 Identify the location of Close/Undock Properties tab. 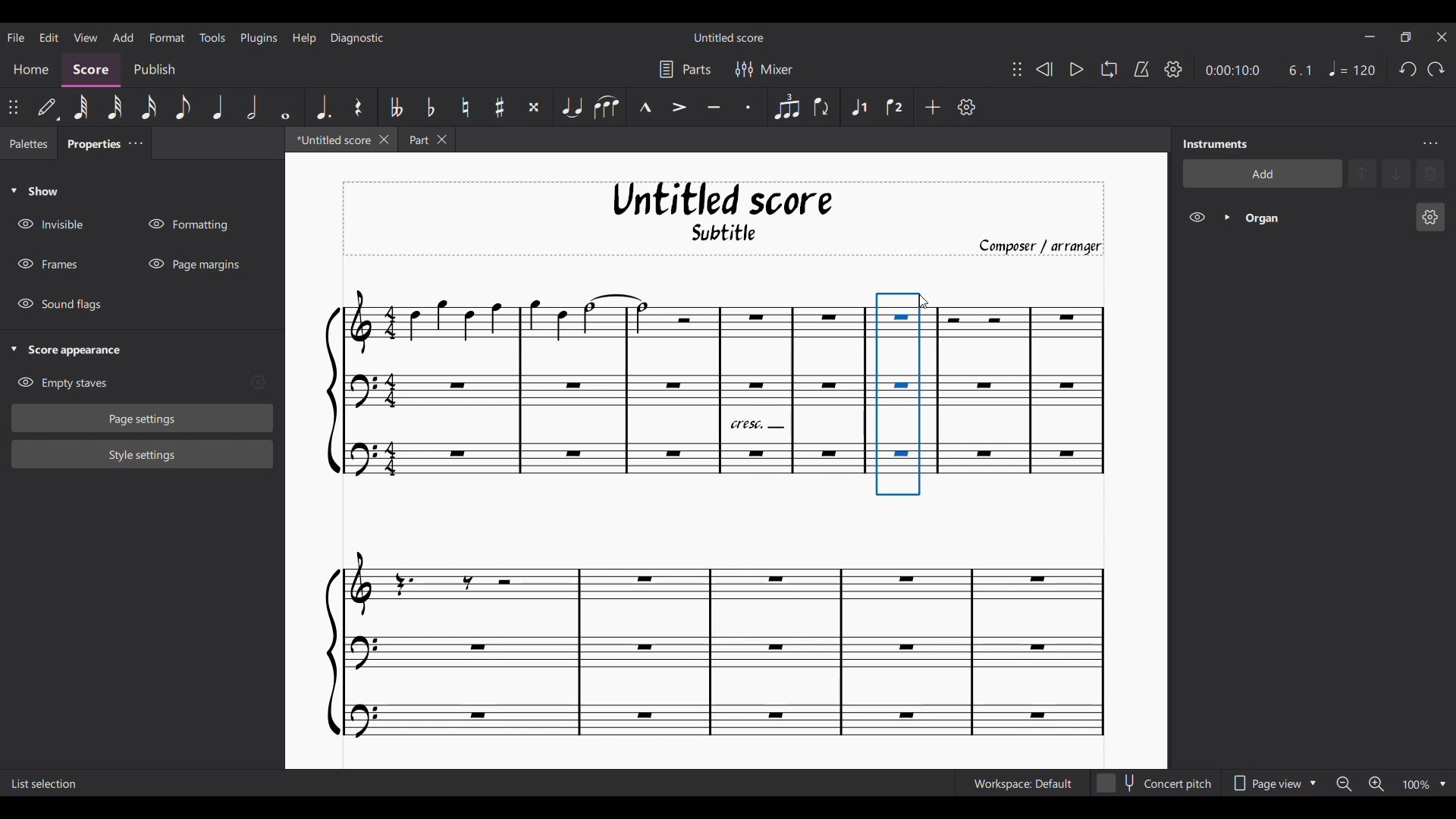
(135, 143).